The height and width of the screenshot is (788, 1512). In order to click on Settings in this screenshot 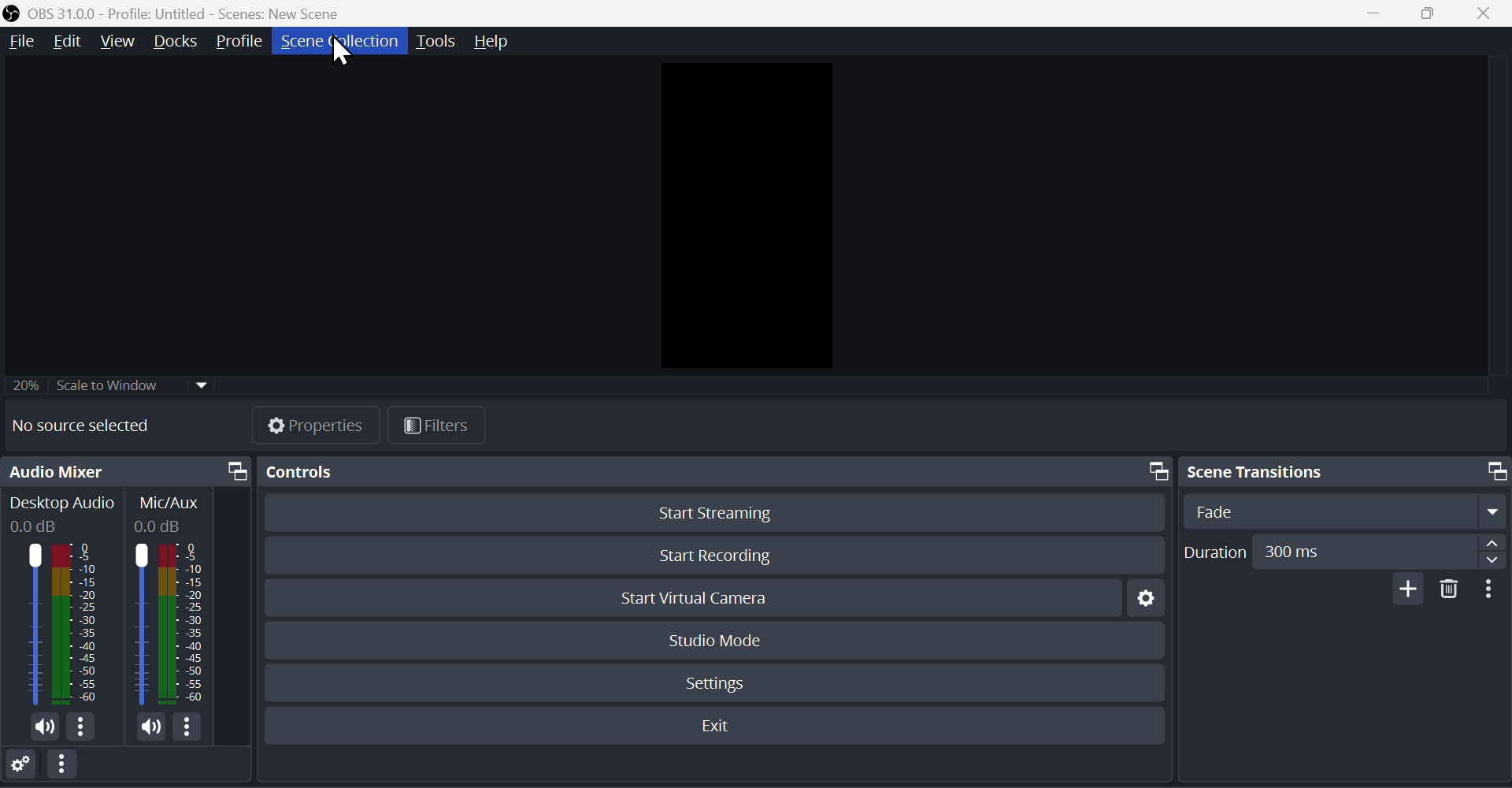, I will do `click(719, 680)`.